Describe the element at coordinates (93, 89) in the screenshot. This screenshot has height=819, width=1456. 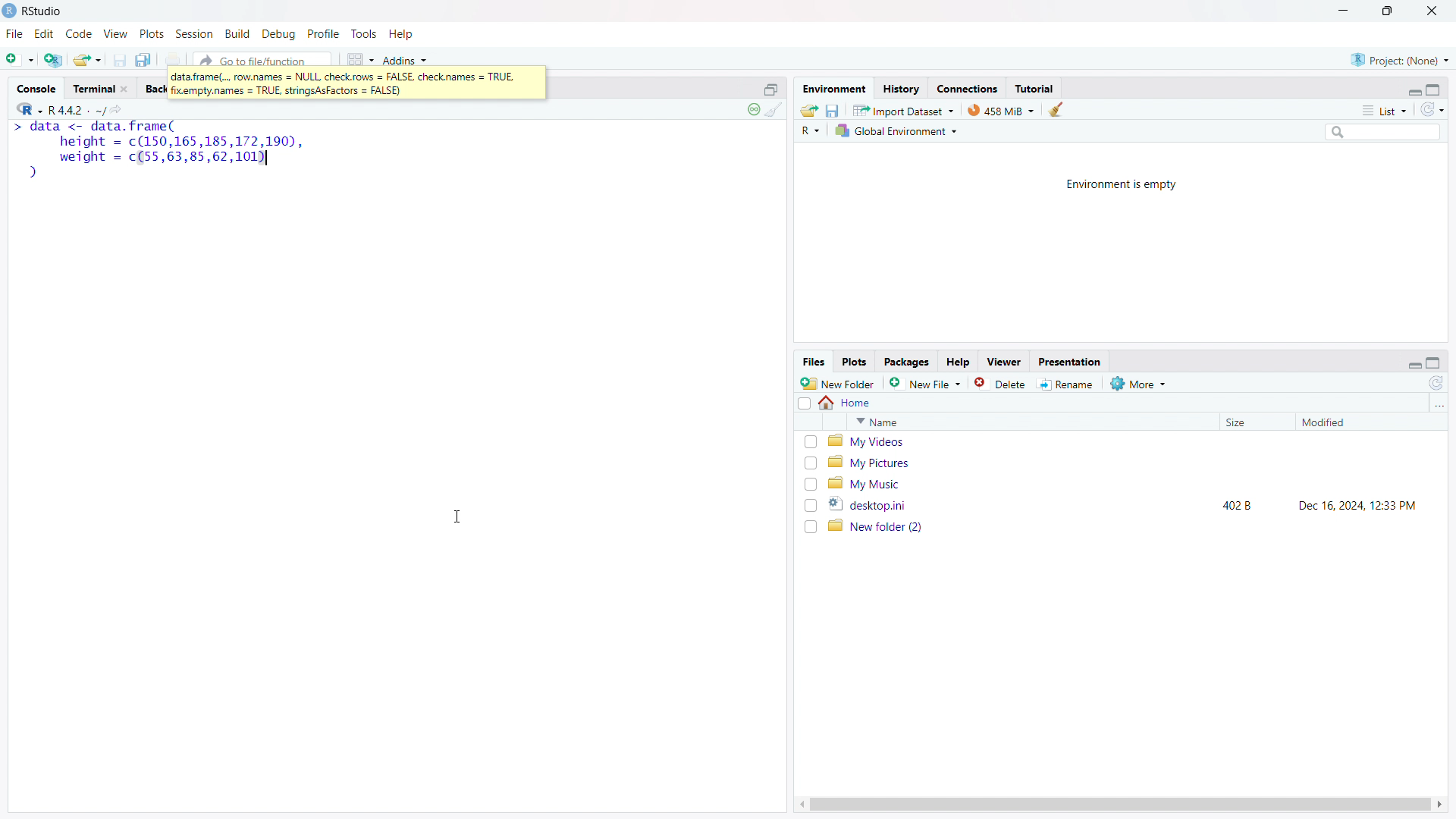
I see `terminal` at that location.